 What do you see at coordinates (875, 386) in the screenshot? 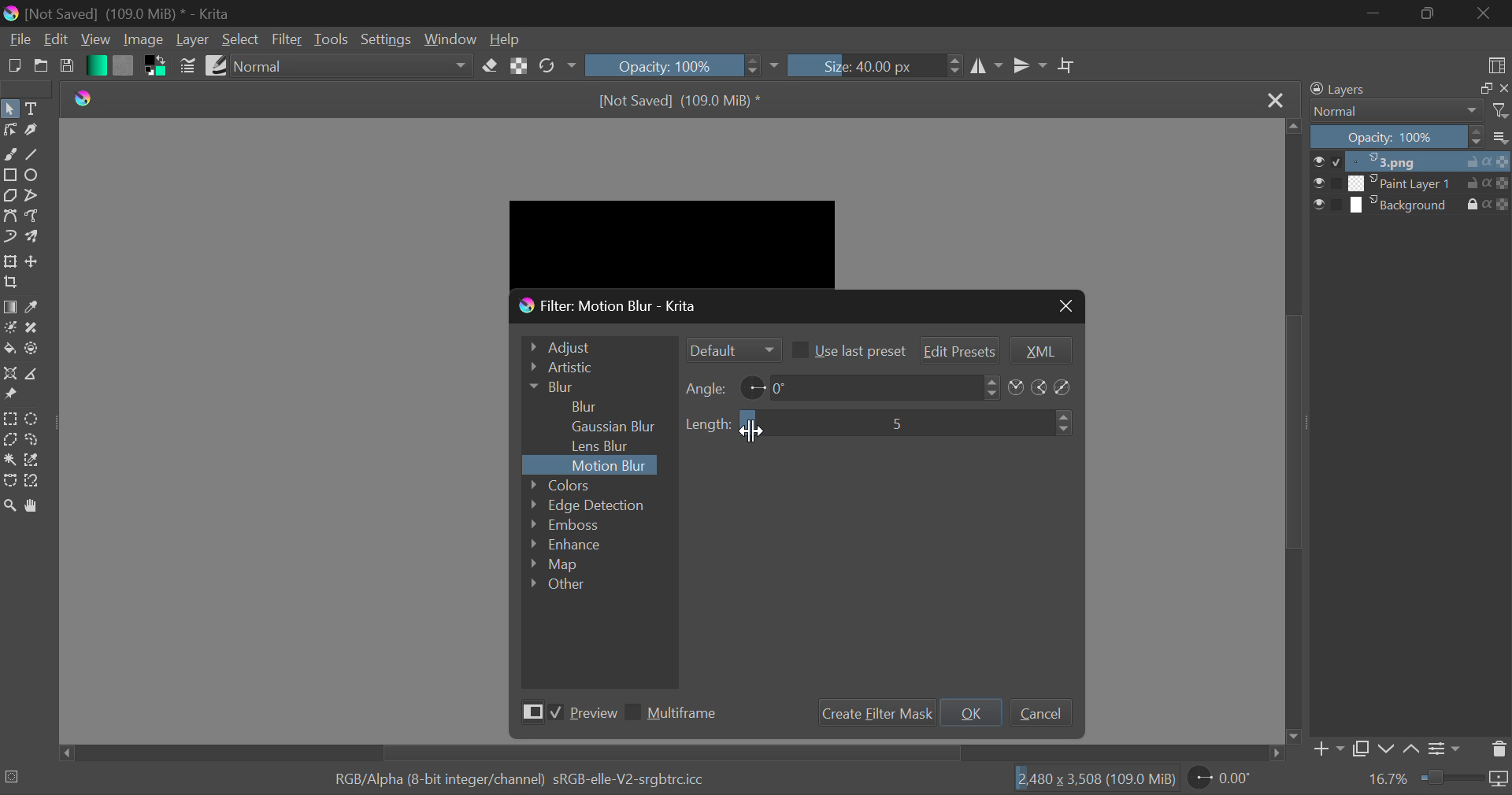
I see `0 degree` at bounding box center [875, 386].